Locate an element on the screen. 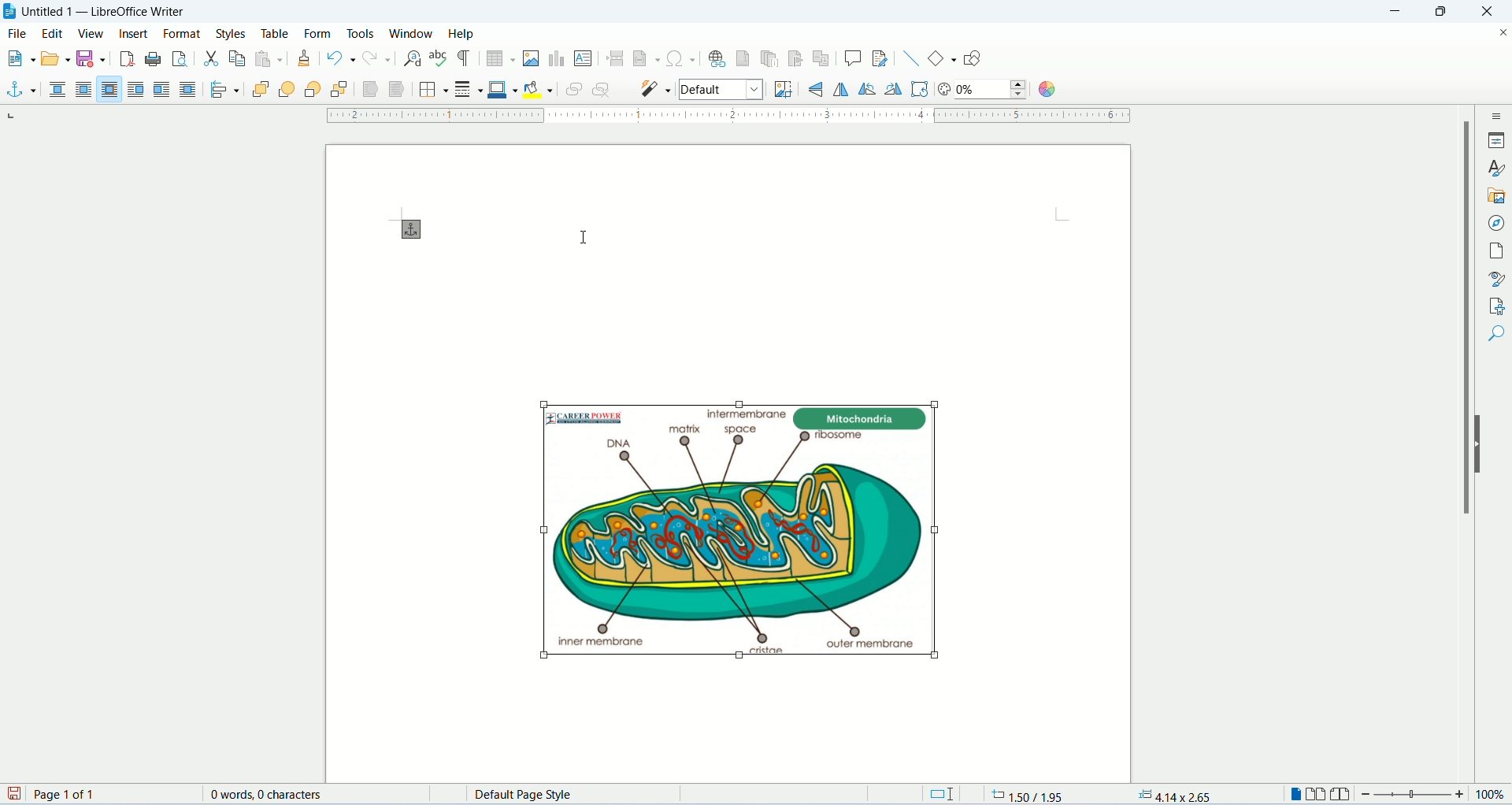  Untitled 1 - LibreOffice Writer is located at coordinates (117, 10).